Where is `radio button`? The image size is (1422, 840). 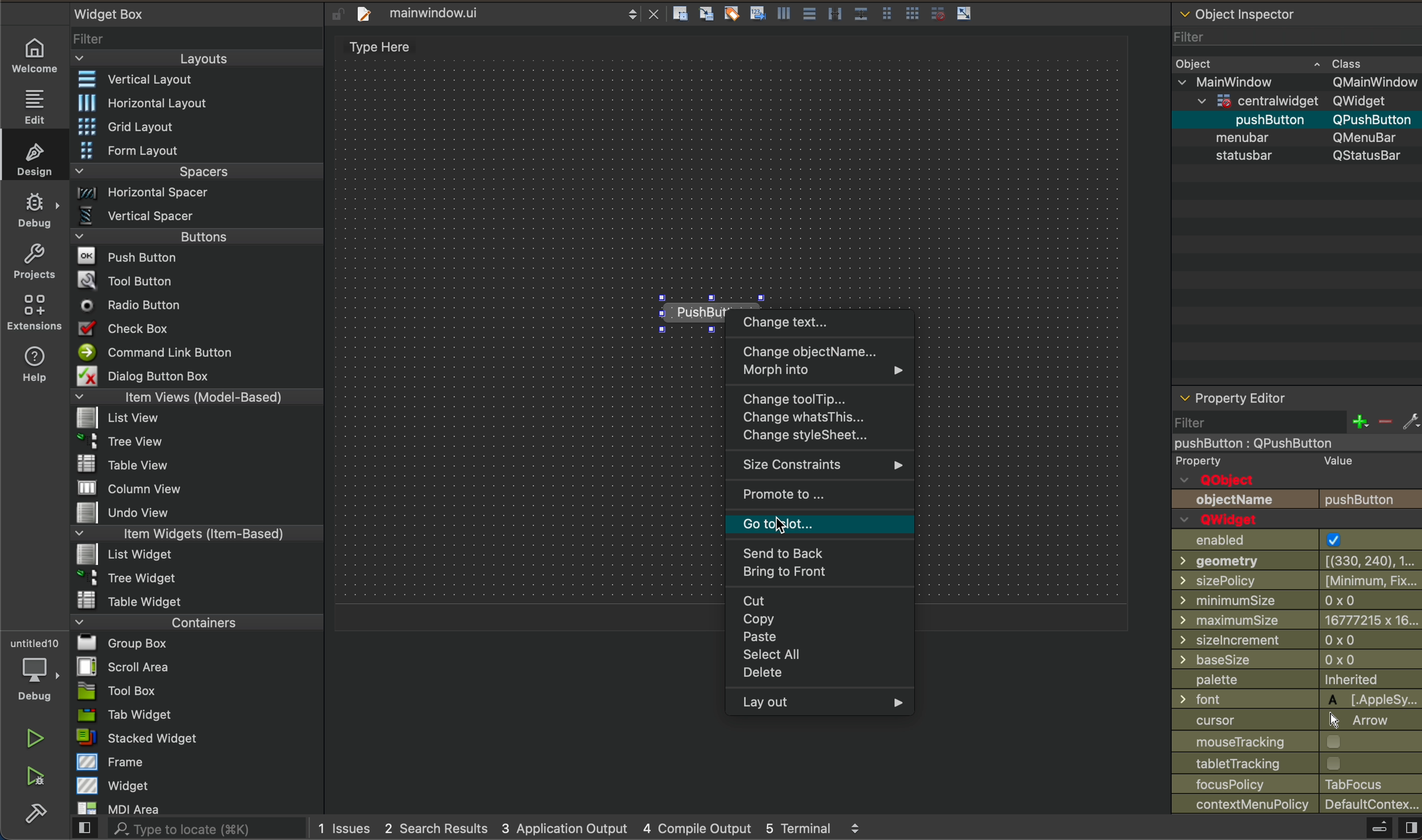 radio button is located at coordinates (196, 307).